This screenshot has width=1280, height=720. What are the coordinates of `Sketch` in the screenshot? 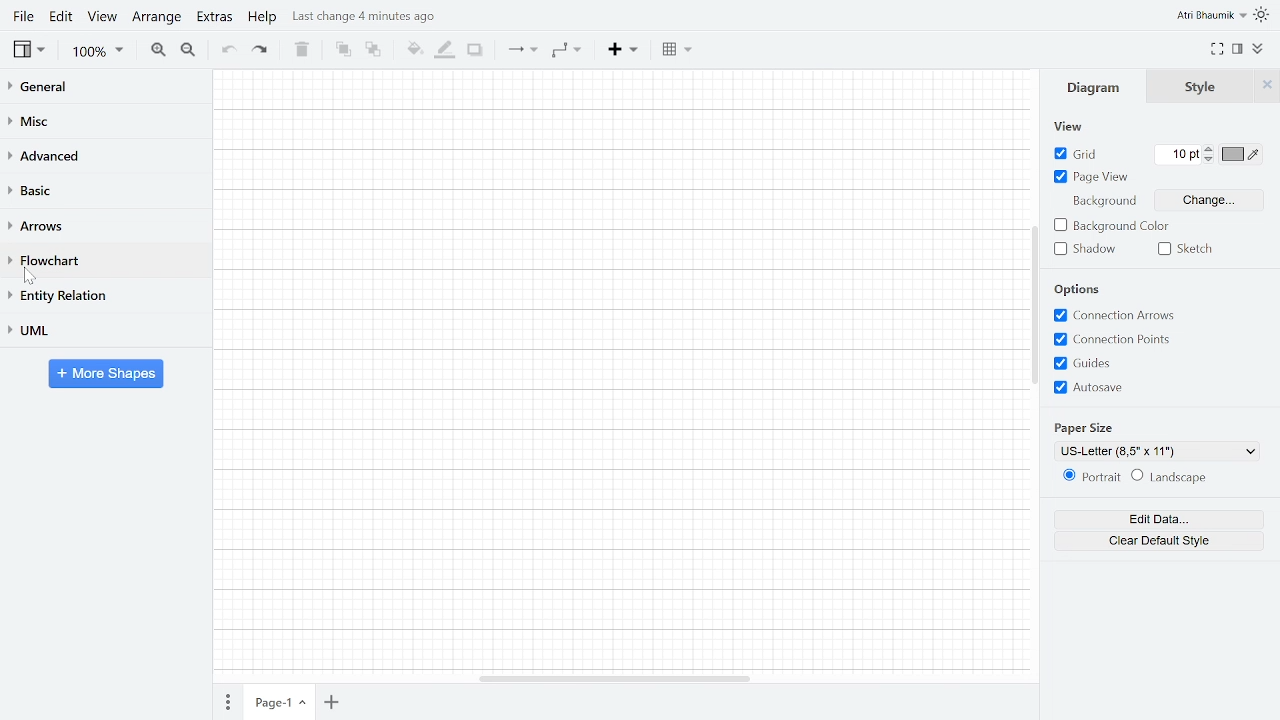 It's located at (1186, 250).